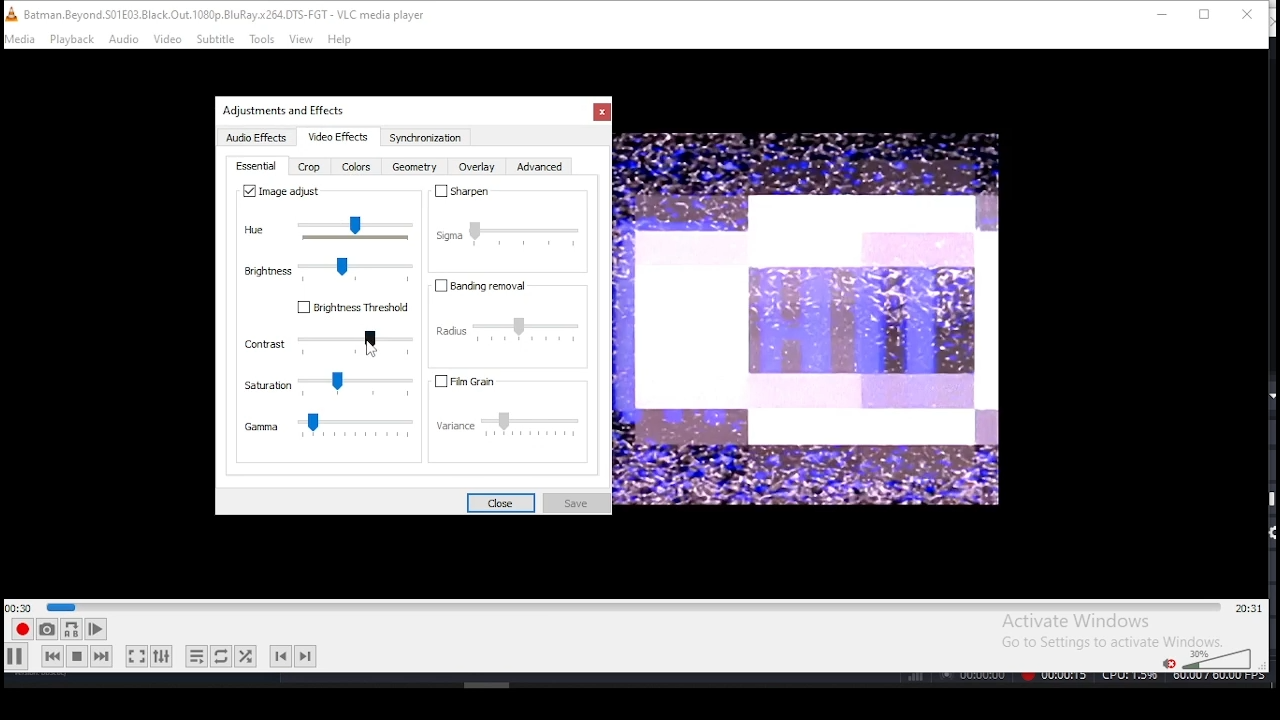 The image size is (1280, 720). I want to click on , so click(488, 683).